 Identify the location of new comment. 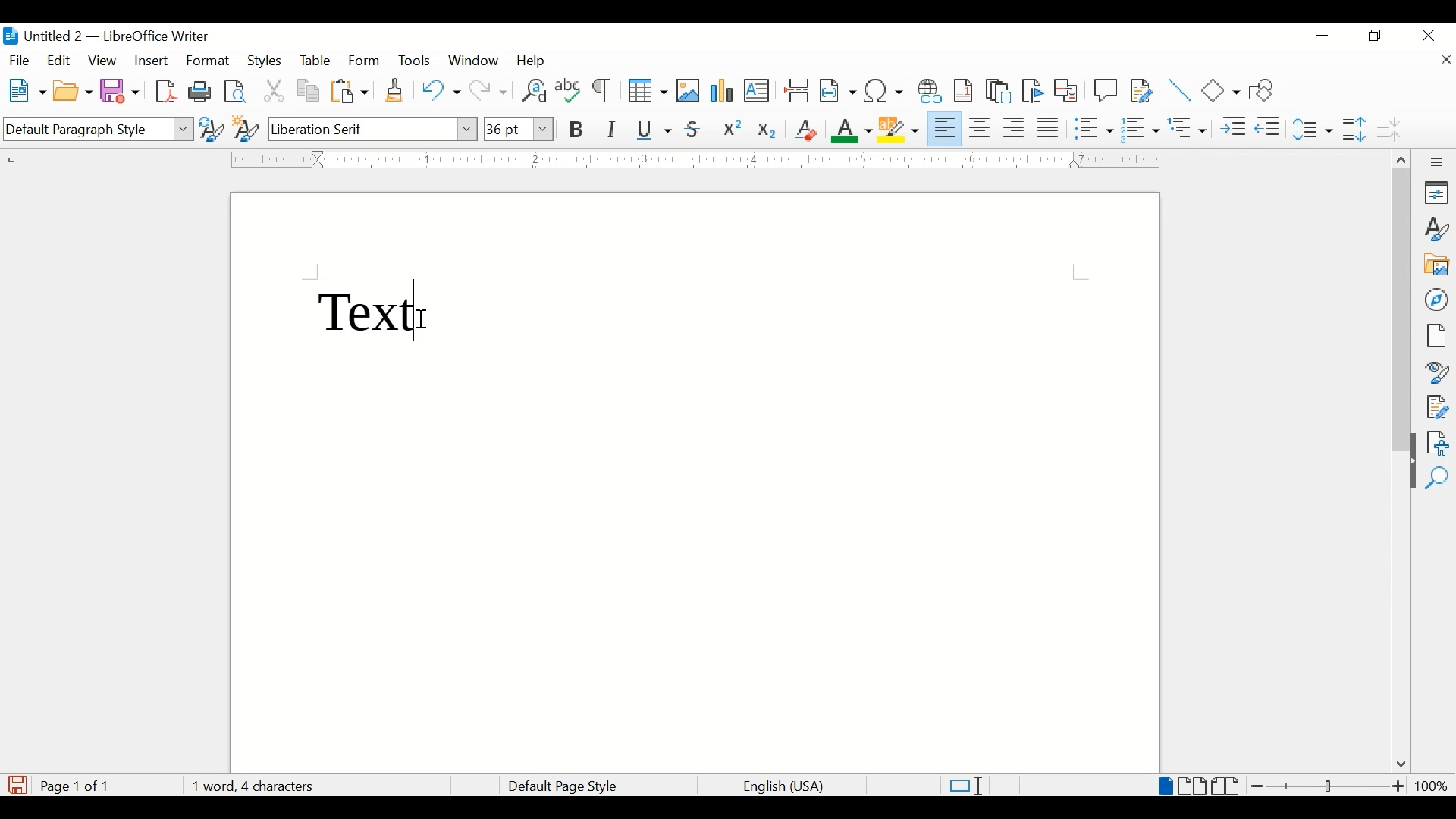
(1106, 90).